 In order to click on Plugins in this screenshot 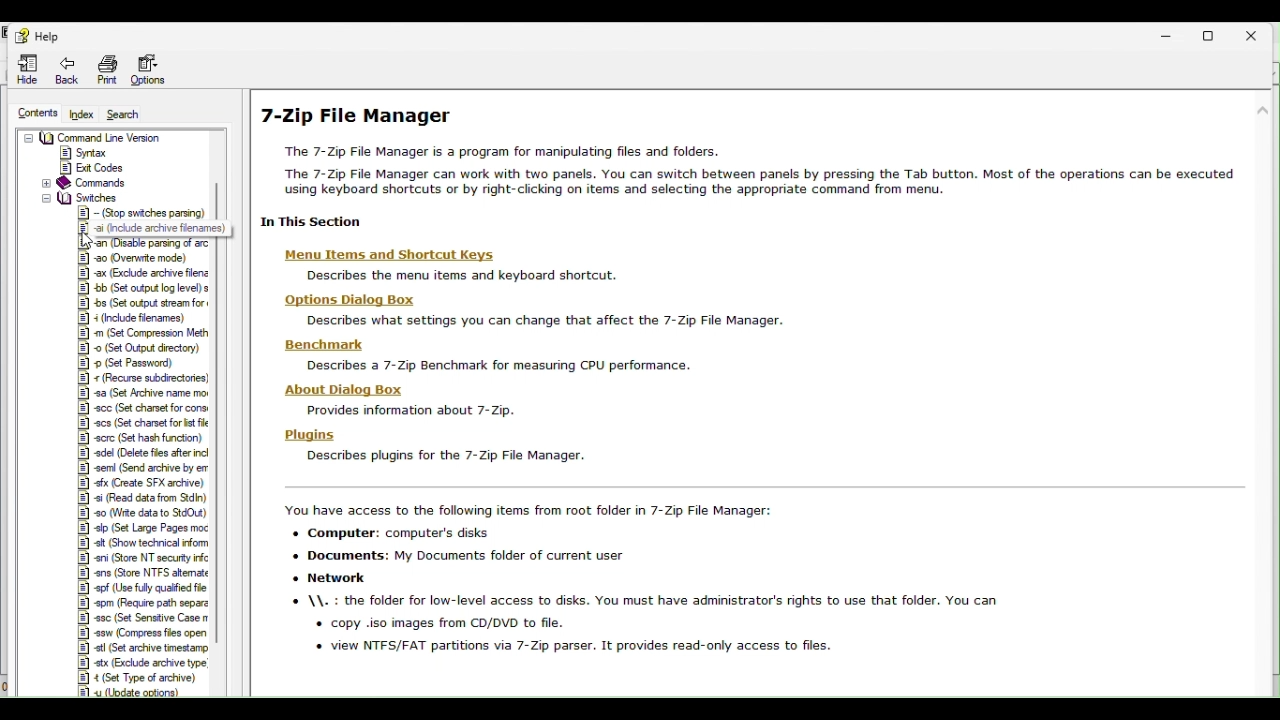, I will do `click(316, 435)`.